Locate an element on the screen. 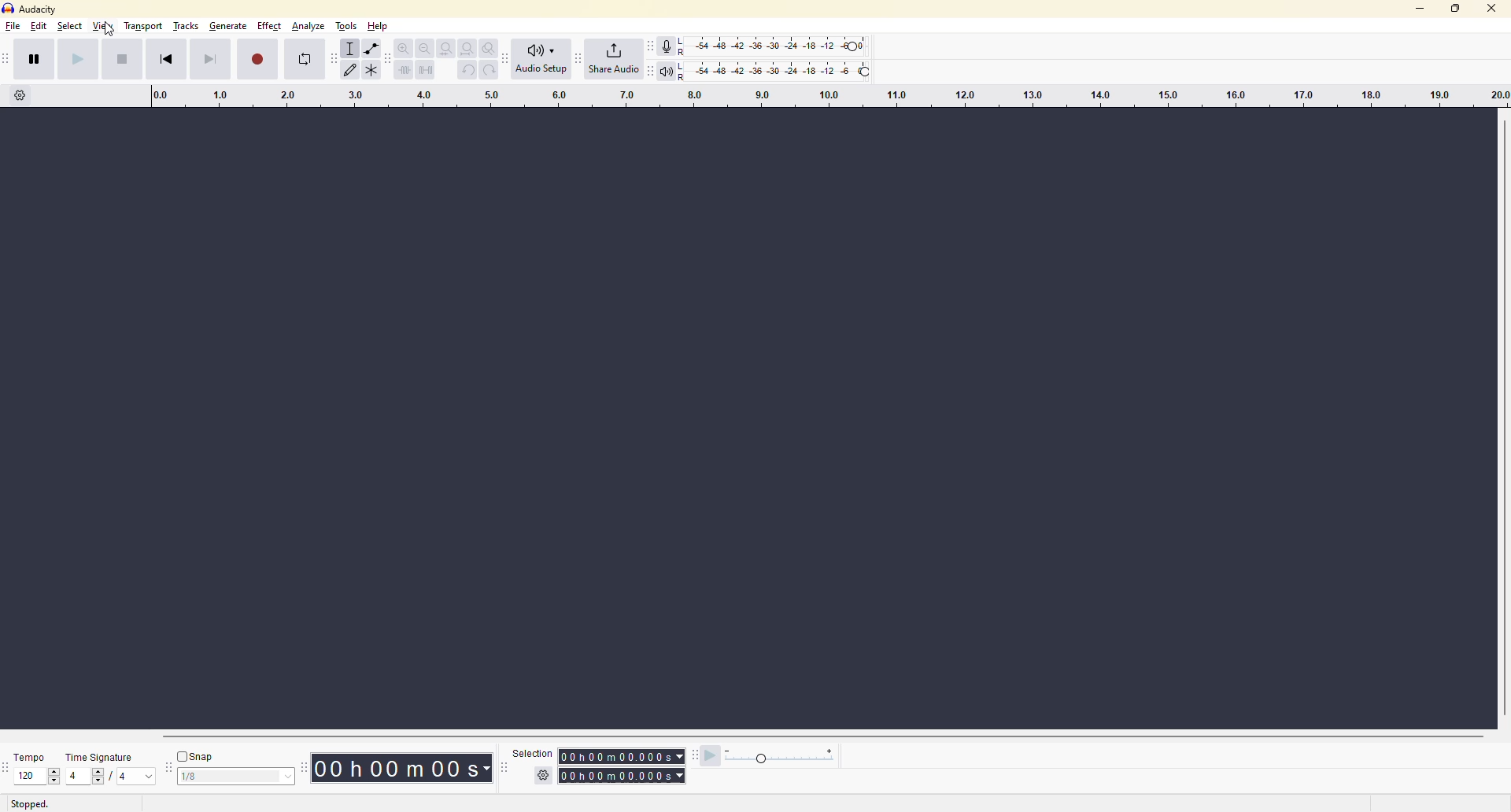 The image size is (1511, 812). selection is located at coordinates (526, 756).